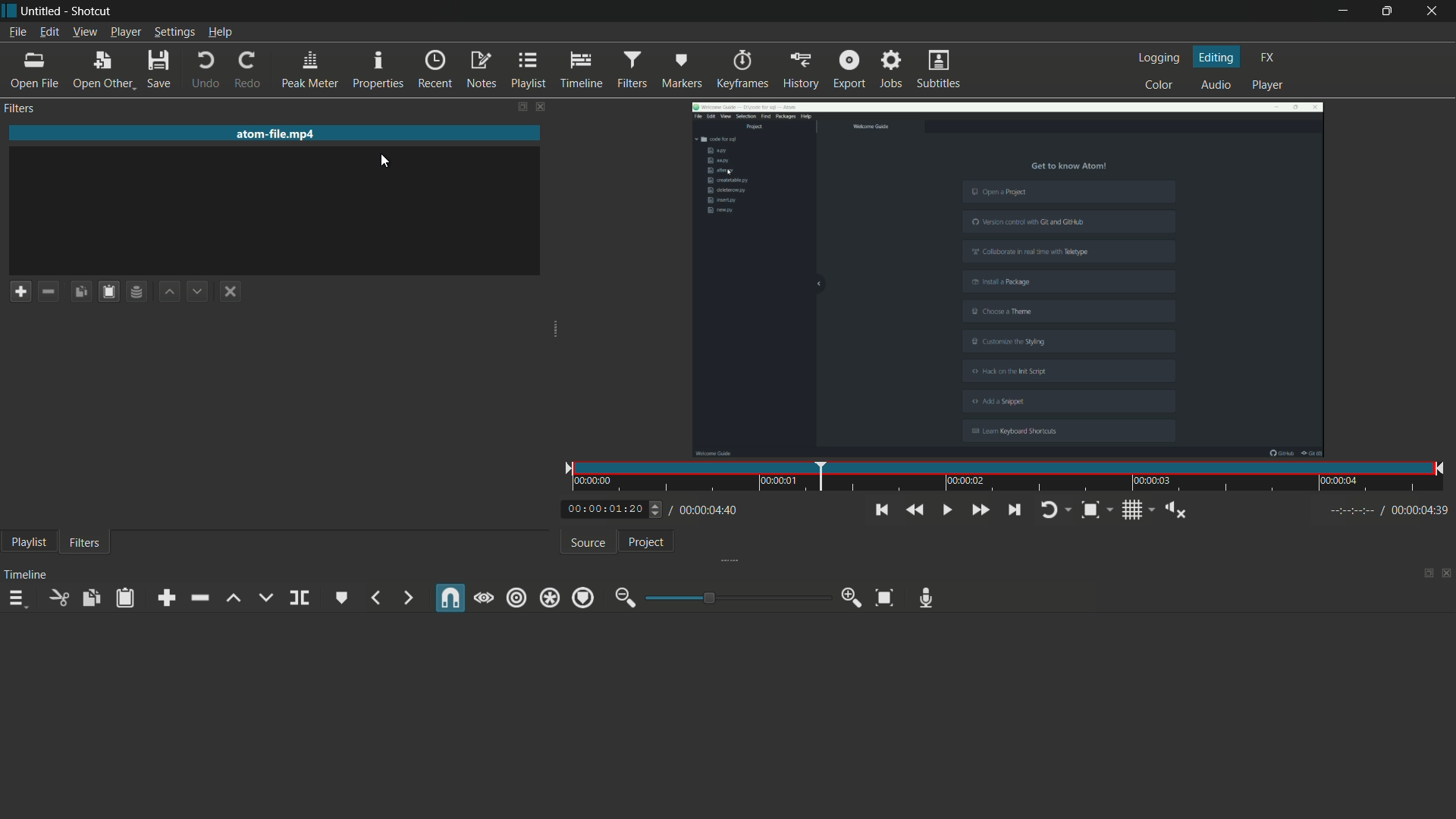 This screenshot has width=1456, height=819. Describe the element at coordinates (450, 599) in the screenshot. I see `snap` at that location.